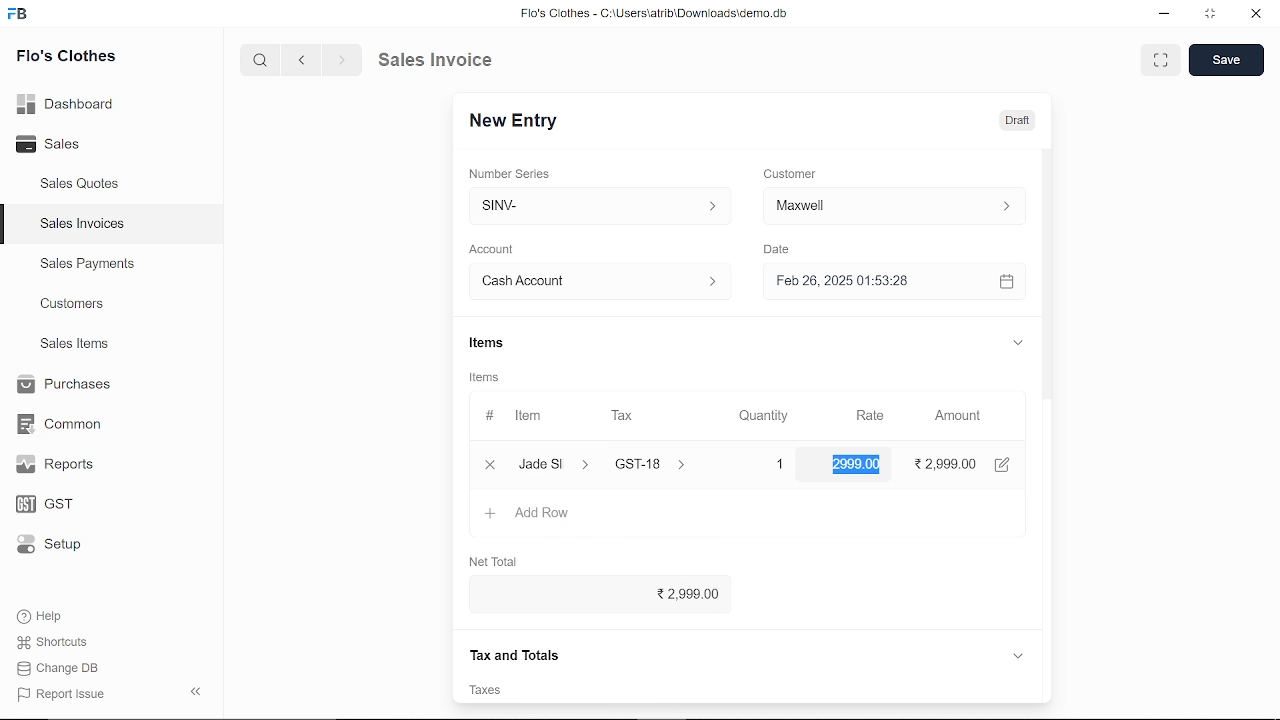  I want to click on Shortcuts, so click(63, 643).